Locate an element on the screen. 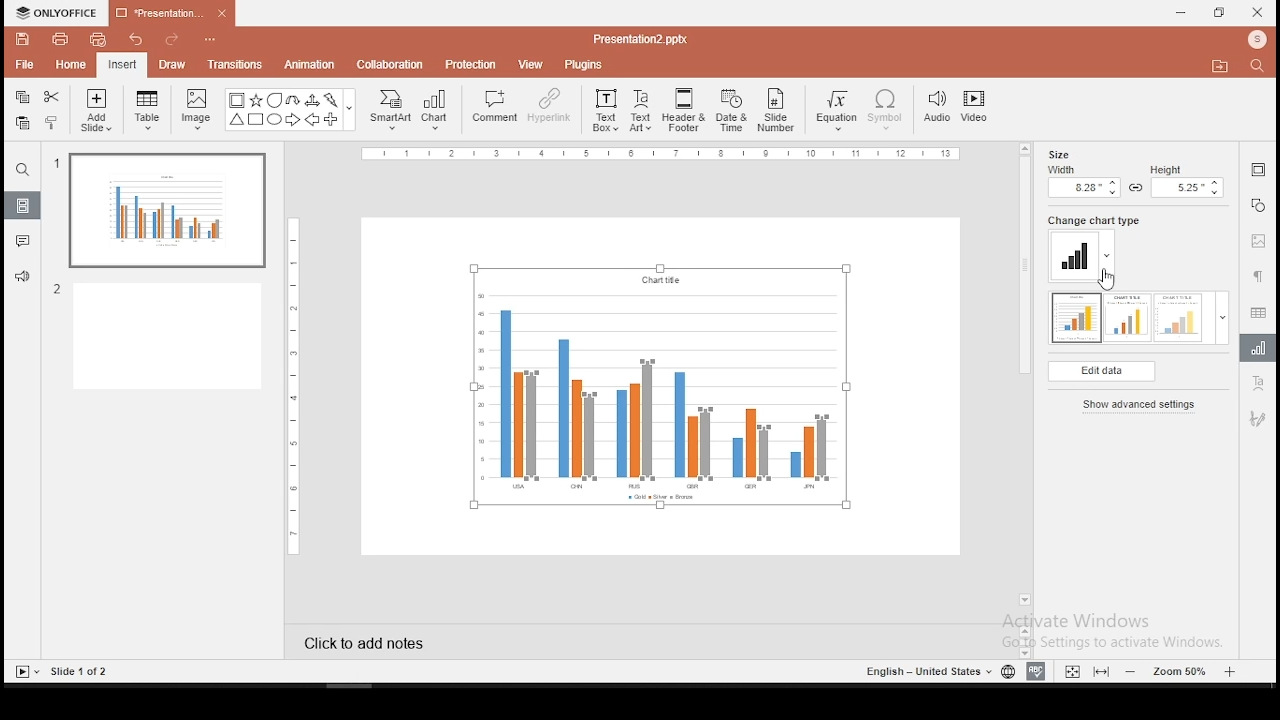 This screenshot has height=720, width=1280. insert is located at coordinates (123, 64).